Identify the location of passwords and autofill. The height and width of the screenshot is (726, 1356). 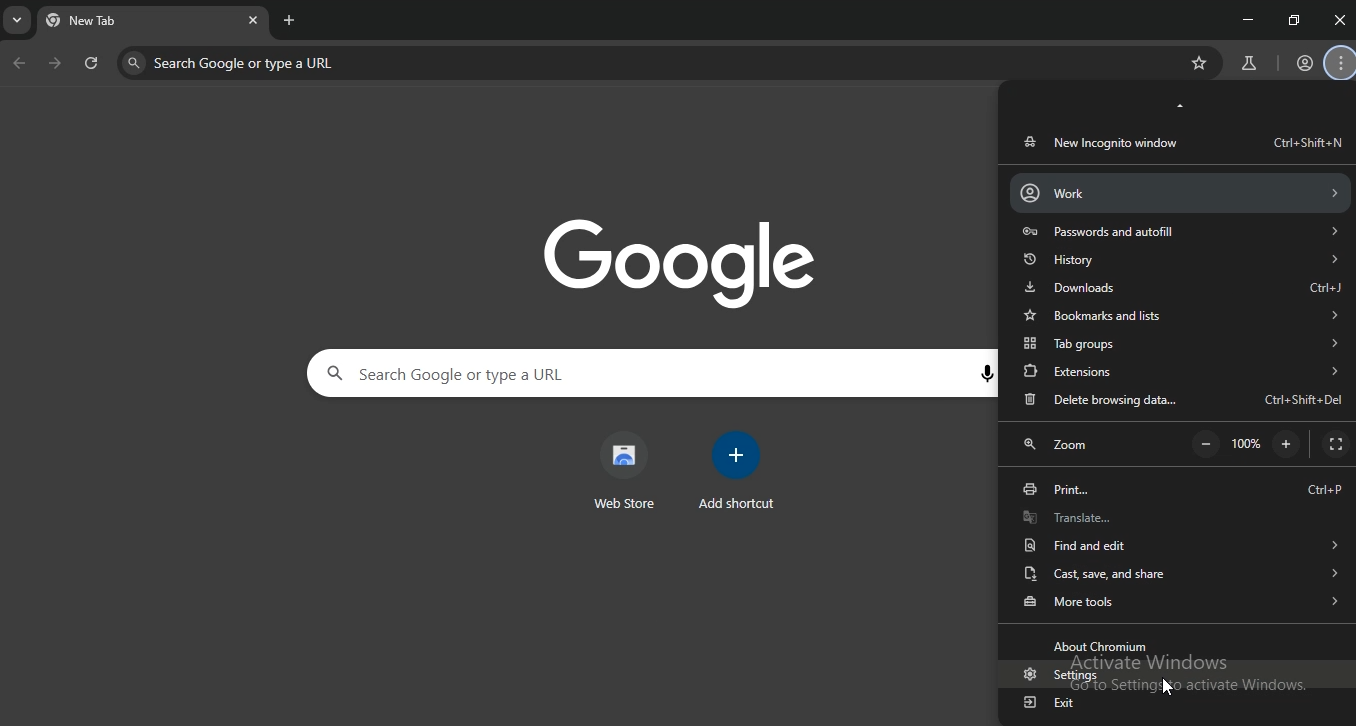
(1179, 231).